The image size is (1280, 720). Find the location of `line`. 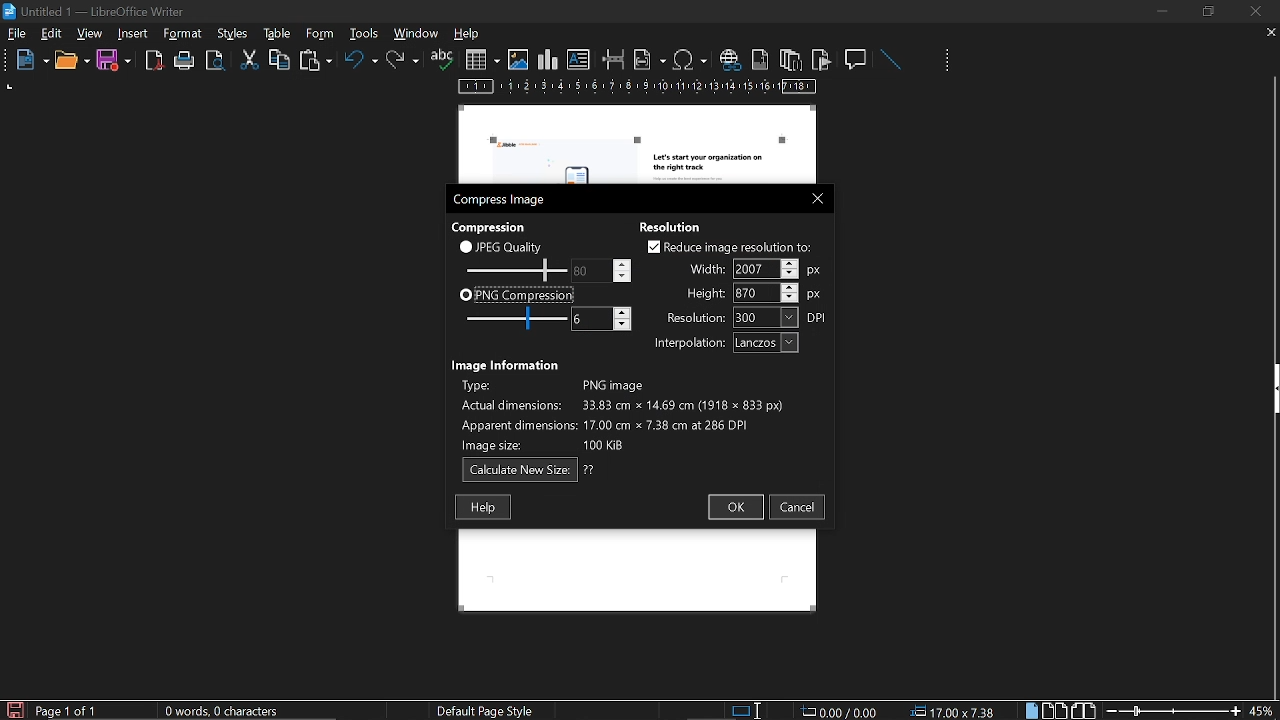

line is located at coordinates (890, 60).